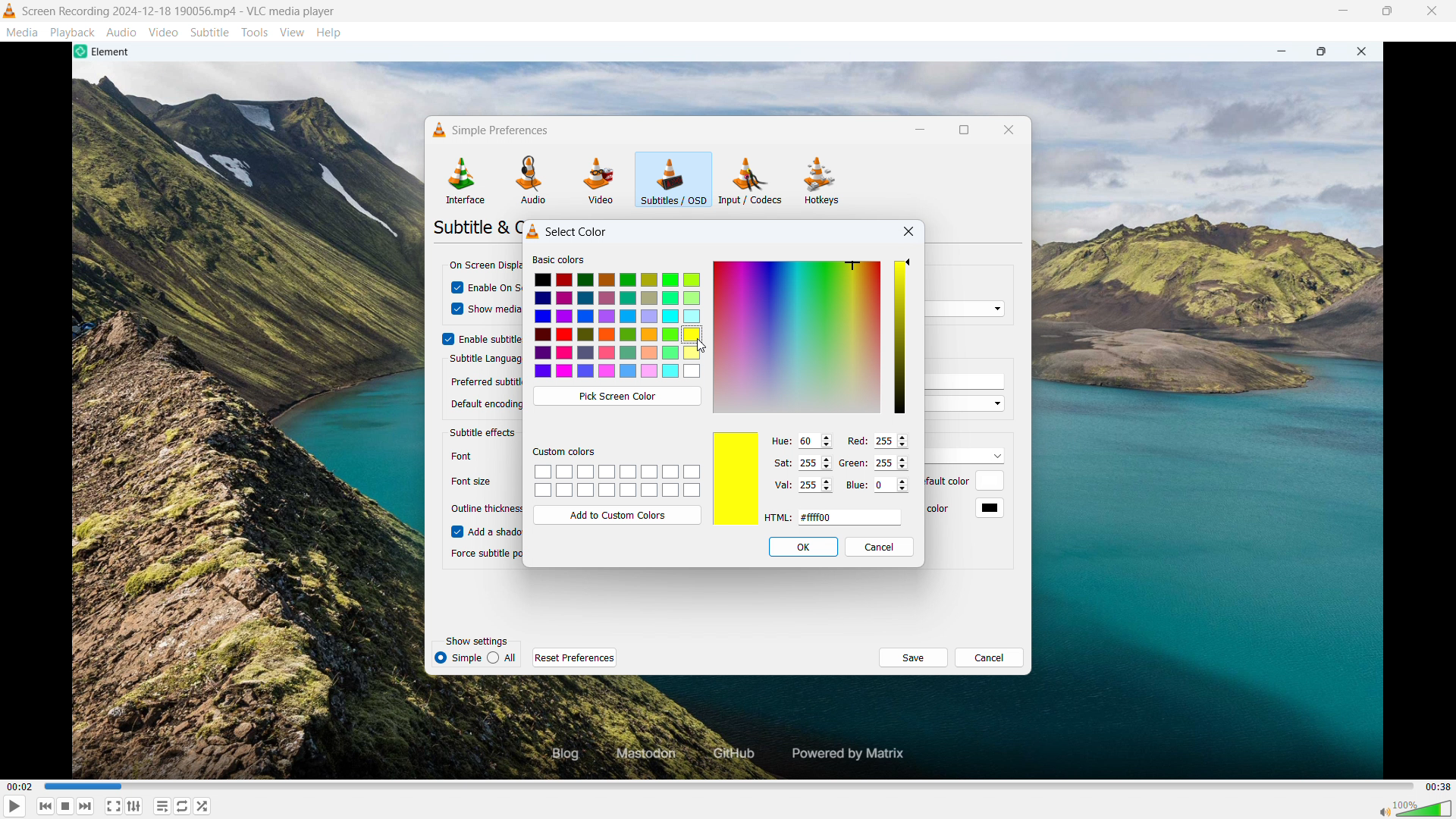  Describe the element at coordinates (491, 340) in the screenshot. I see `Enable subtitles ` at that location.